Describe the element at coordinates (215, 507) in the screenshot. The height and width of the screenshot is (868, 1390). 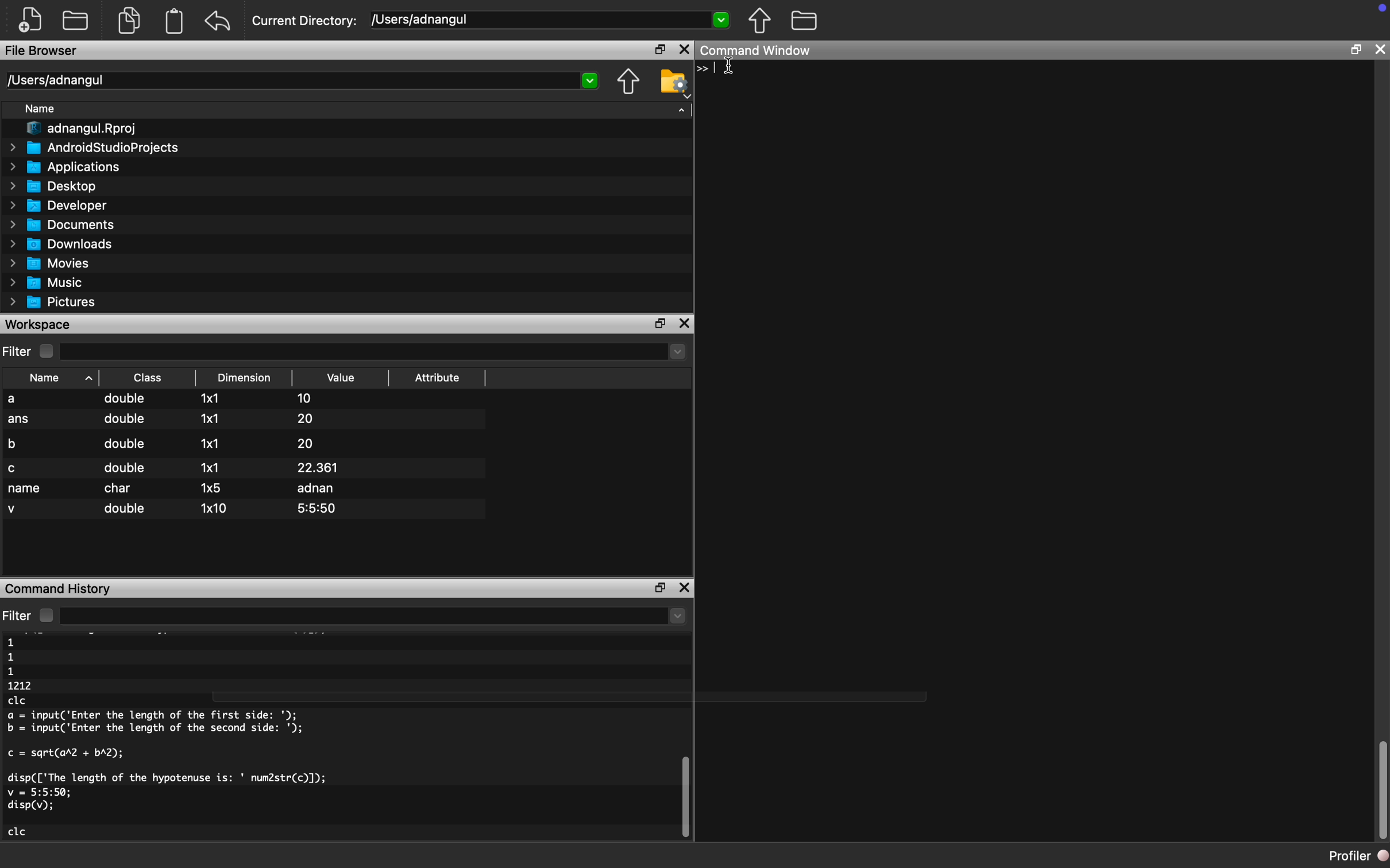
I see `1x10` at that location.